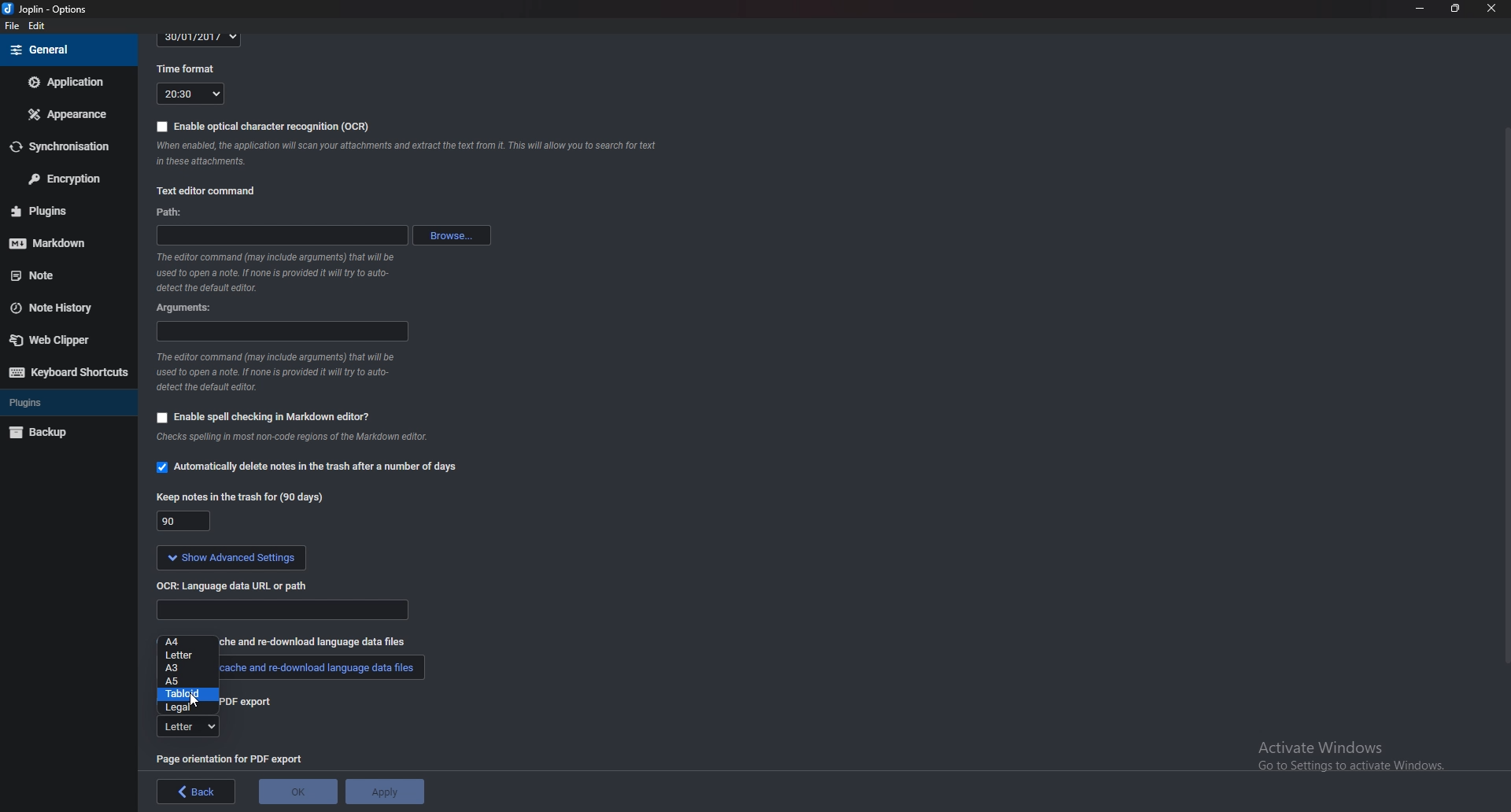 Image resolution: width=1511 pixels, height=812 pixels. Describe the element at coordinates (66, 177) in the screenshot. I see `Encryption` at that location.